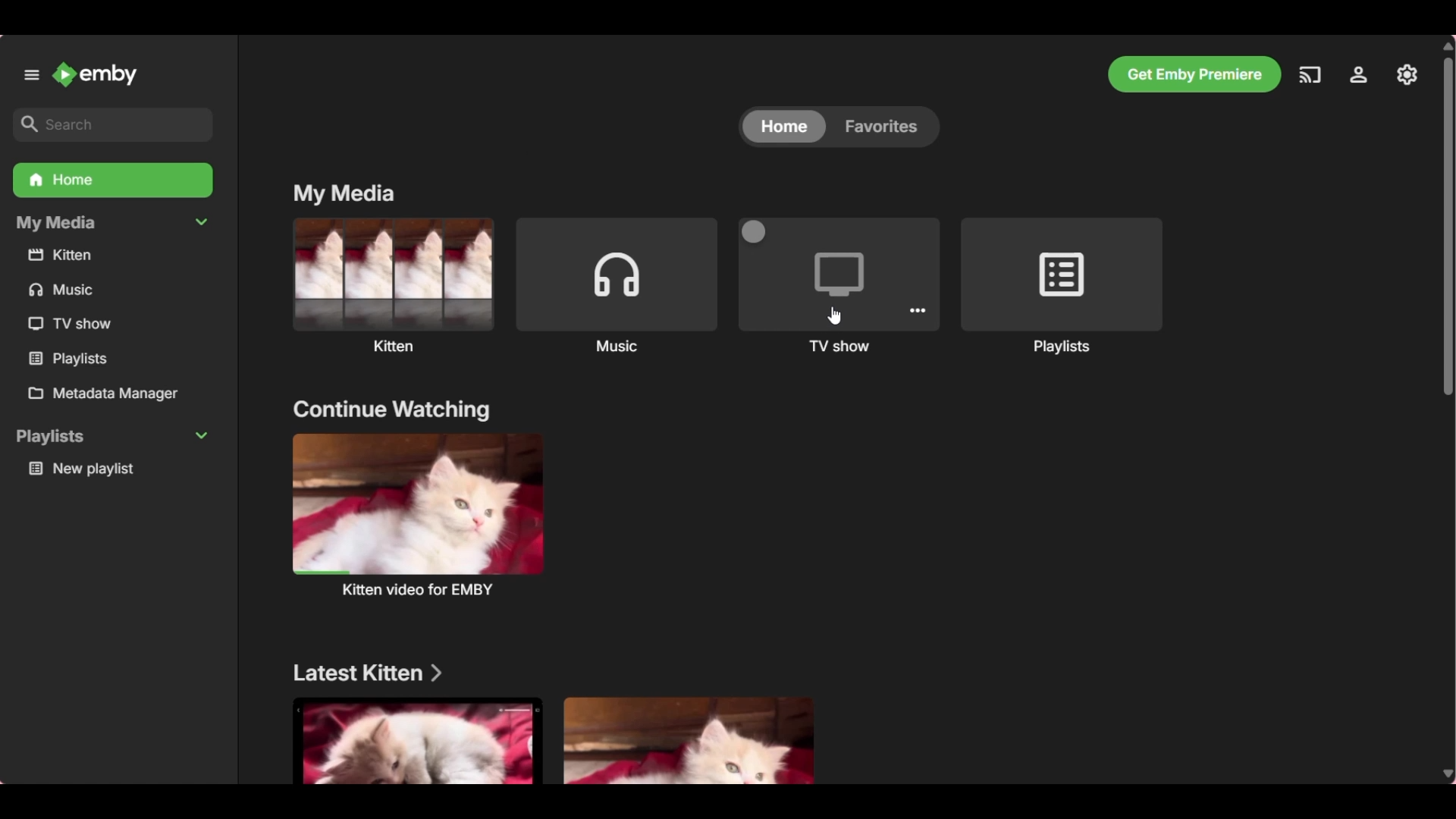  What do you see at coordinates (423, 590) in the screenshot?
I see `text` at bounding box center [423, 590].